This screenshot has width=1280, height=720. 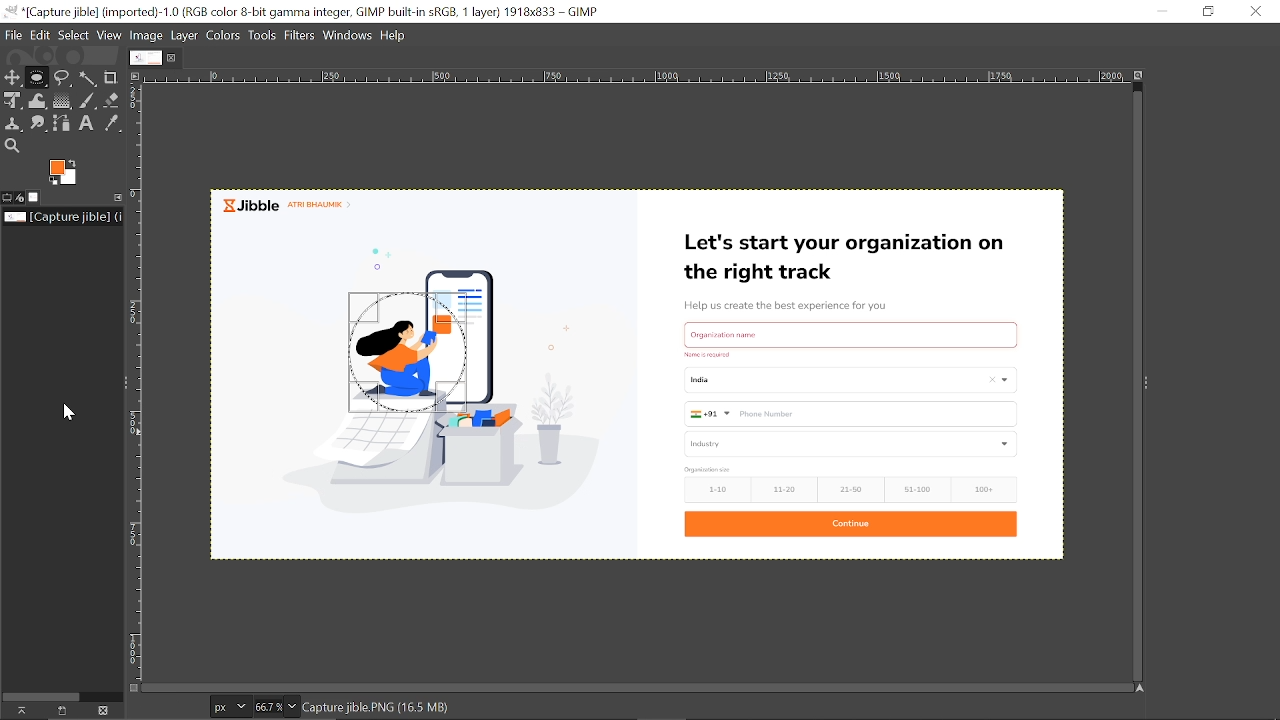 I want to click on Device status, so click(x=21, y=197).